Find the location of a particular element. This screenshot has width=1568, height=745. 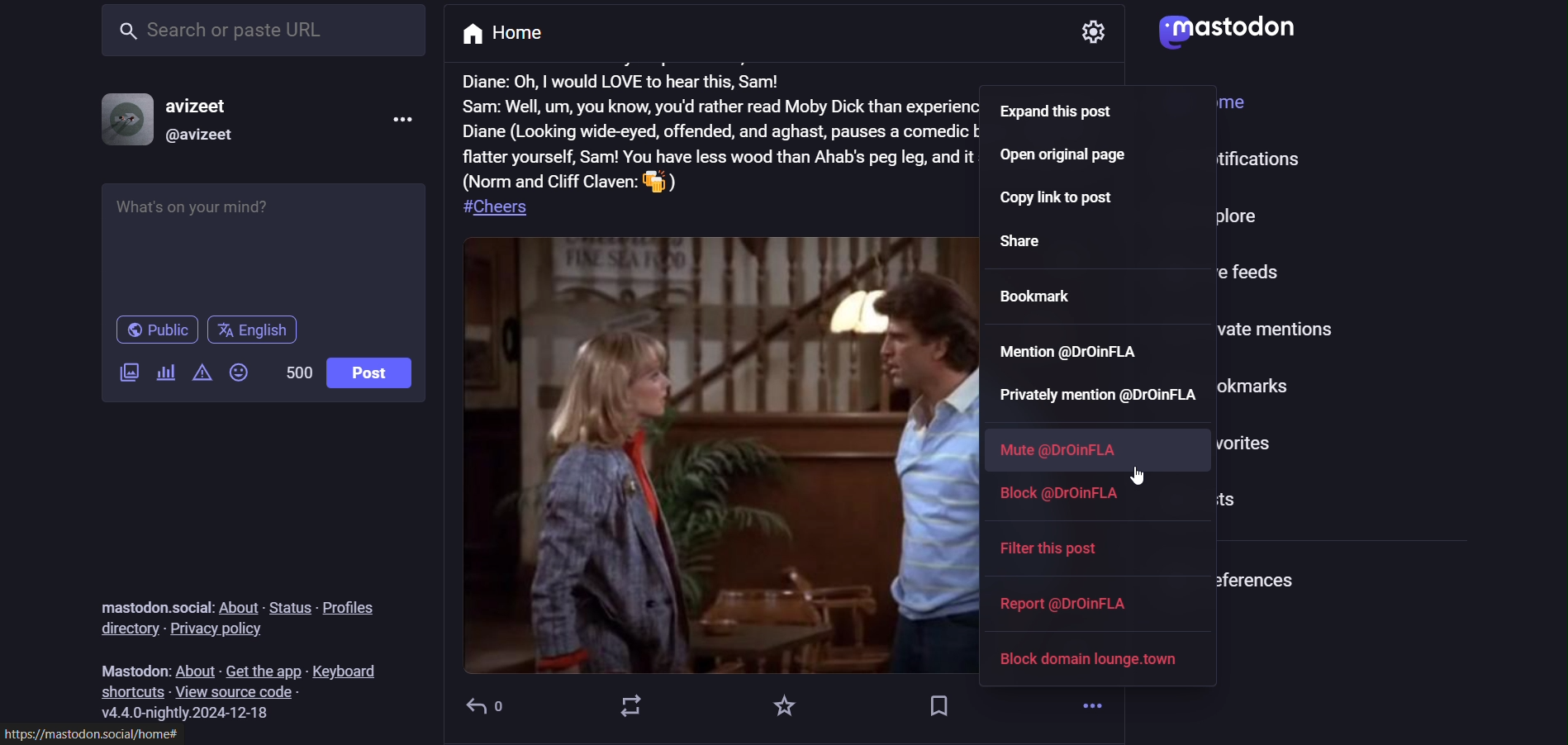

post is located at coordinates (369, 372).